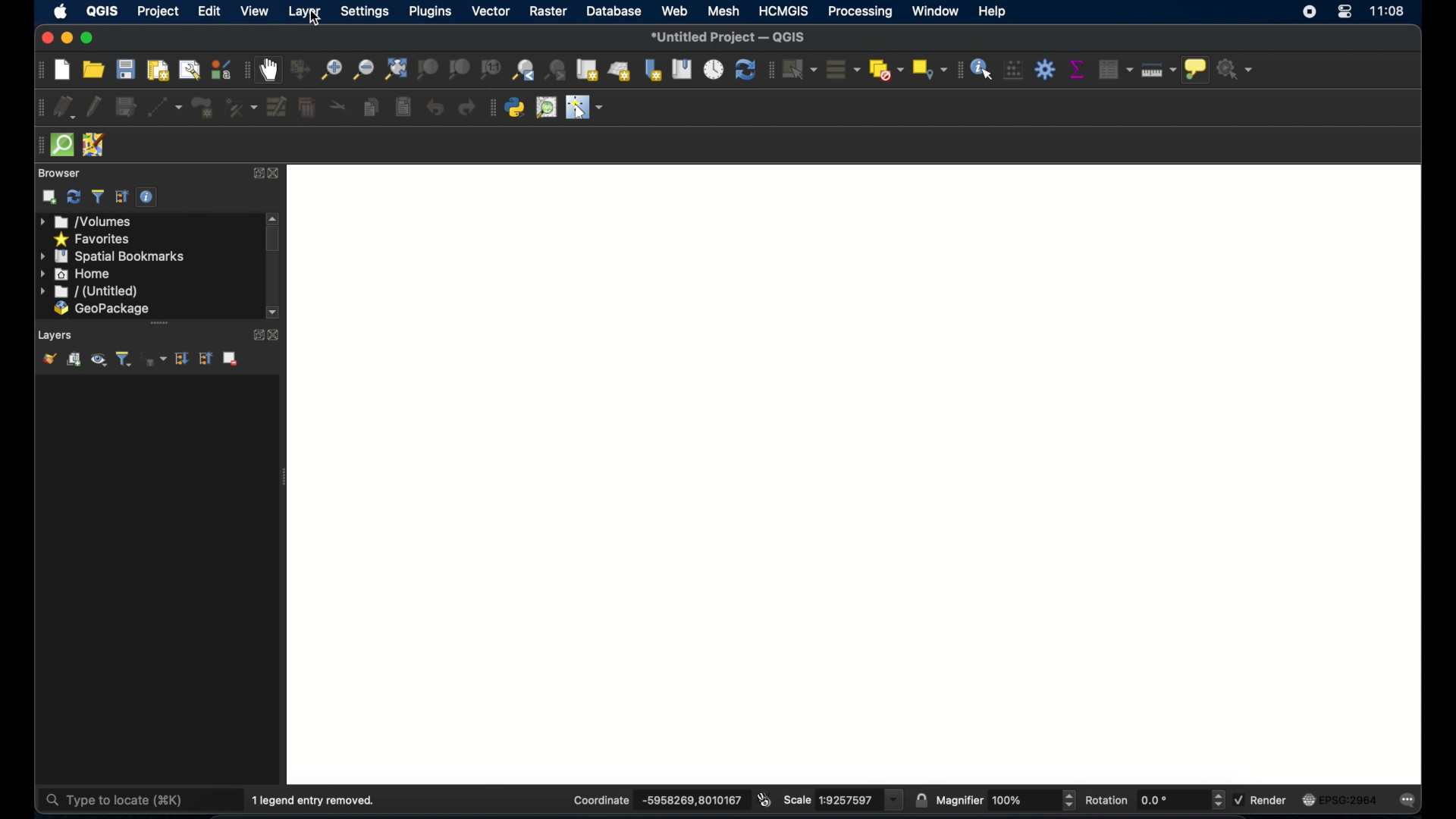 The image size is (1456, 819). What do you see at coordinates (87, 222) in the screenshot?
I see `volumes` at bounding box center [87, 222].